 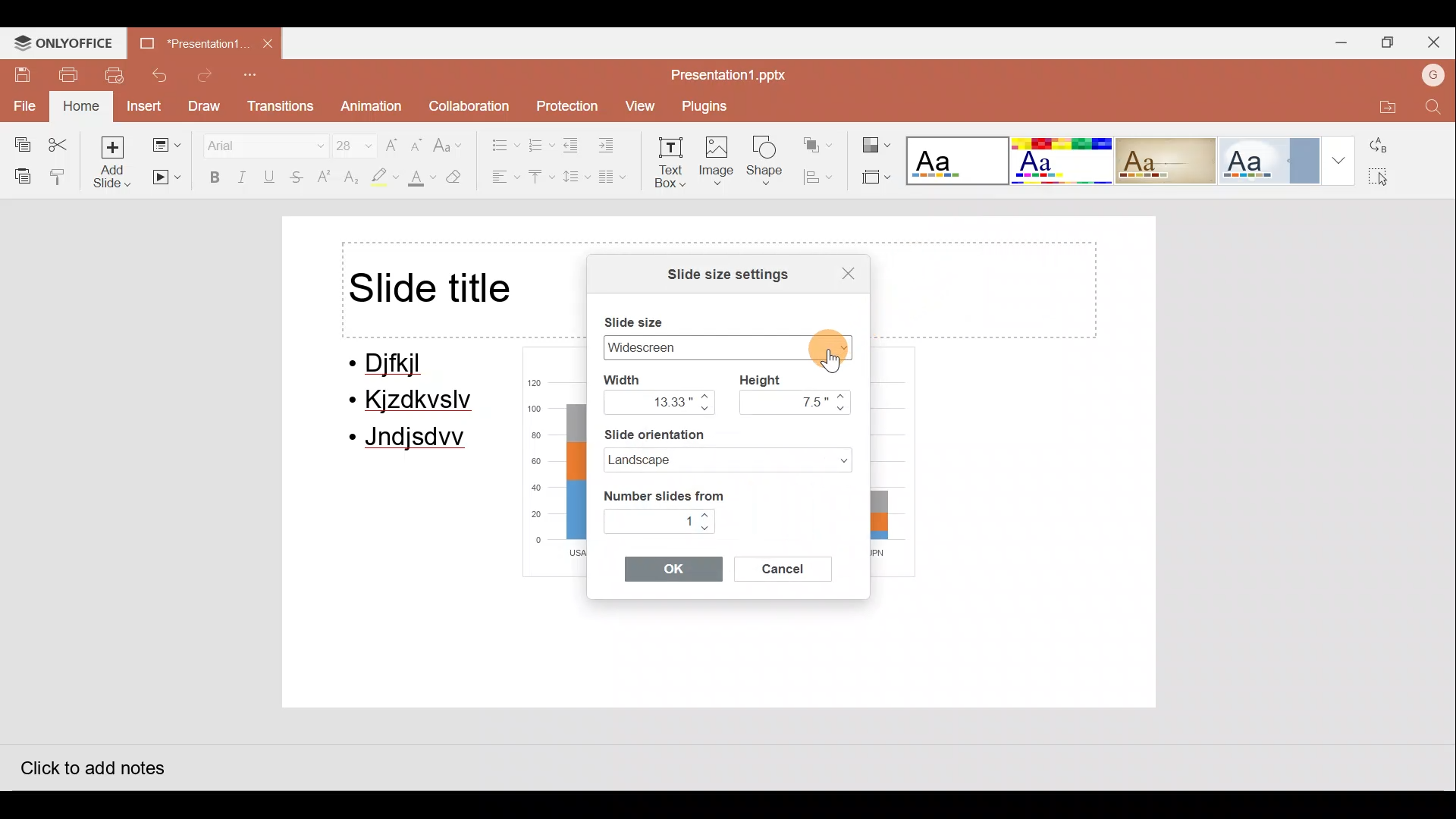 What do you see at coordinates (167, 178) in the screenshot?
I see `Start slideshow` at bounding box center [167, 178].